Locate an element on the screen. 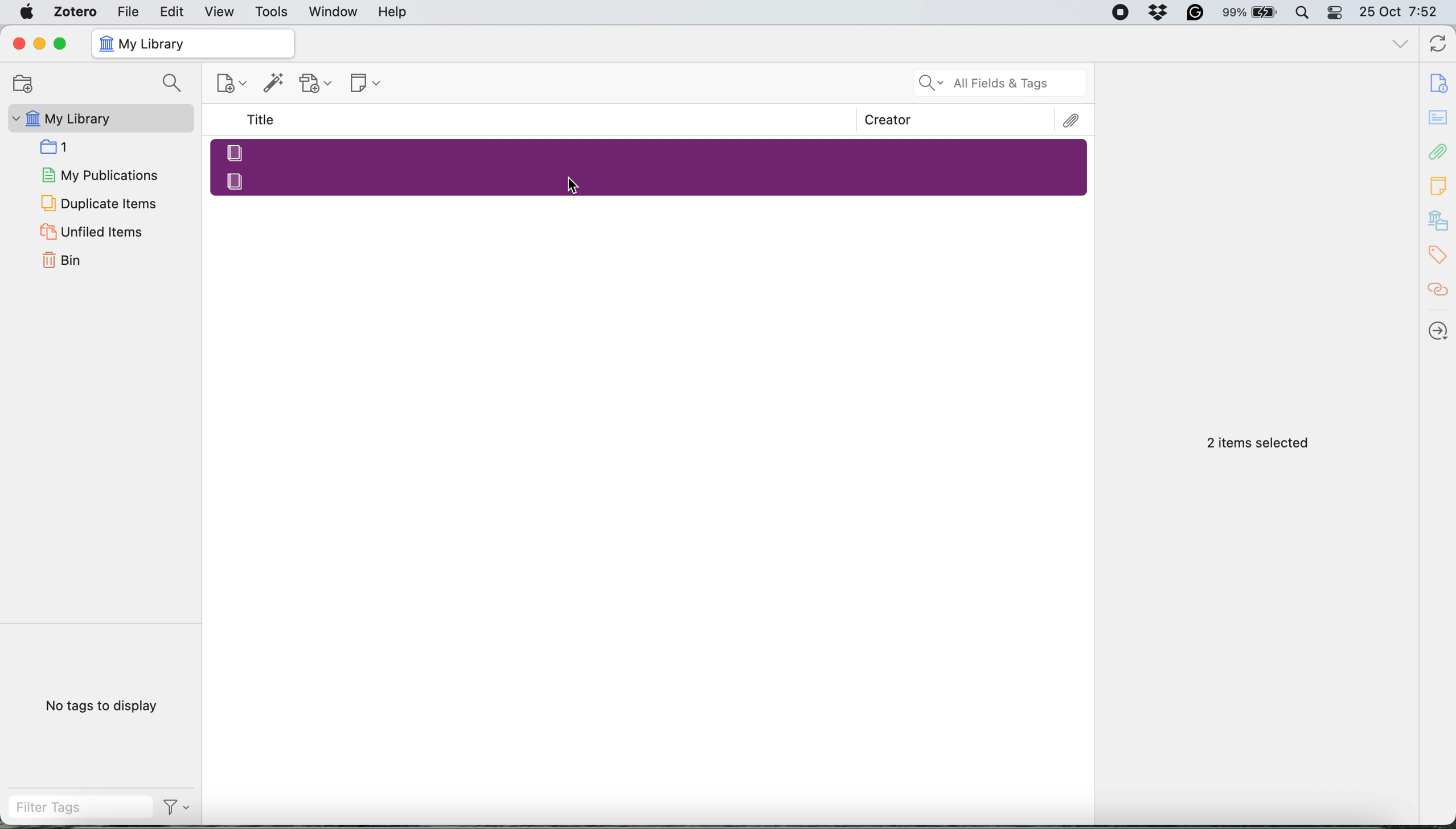  Screen recording is located at coordinates (1119, 13).